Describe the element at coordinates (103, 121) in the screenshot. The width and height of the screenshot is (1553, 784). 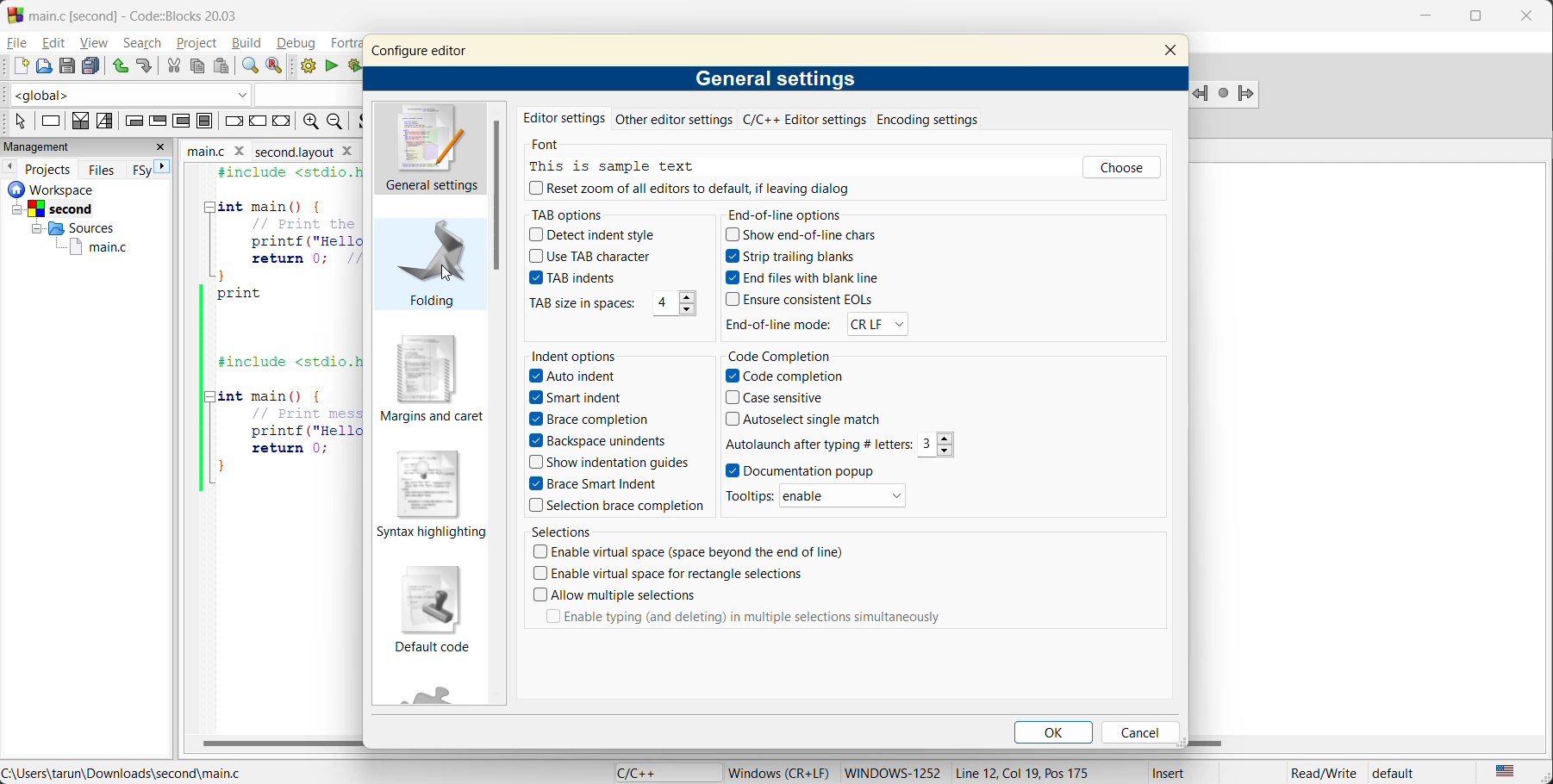
I see `selection` at that location.